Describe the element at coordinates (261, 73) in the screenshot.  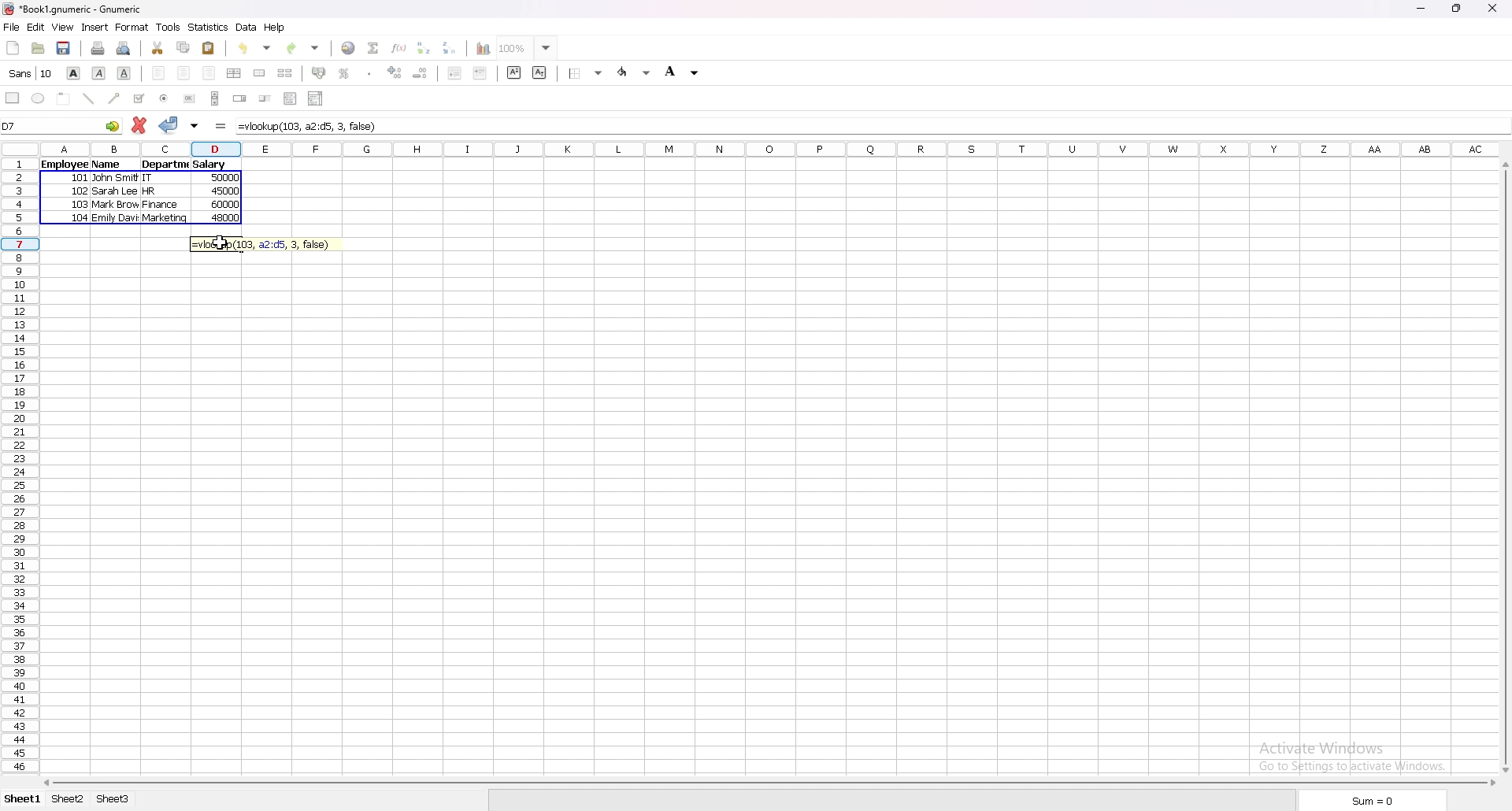
I see `merge` at that location.